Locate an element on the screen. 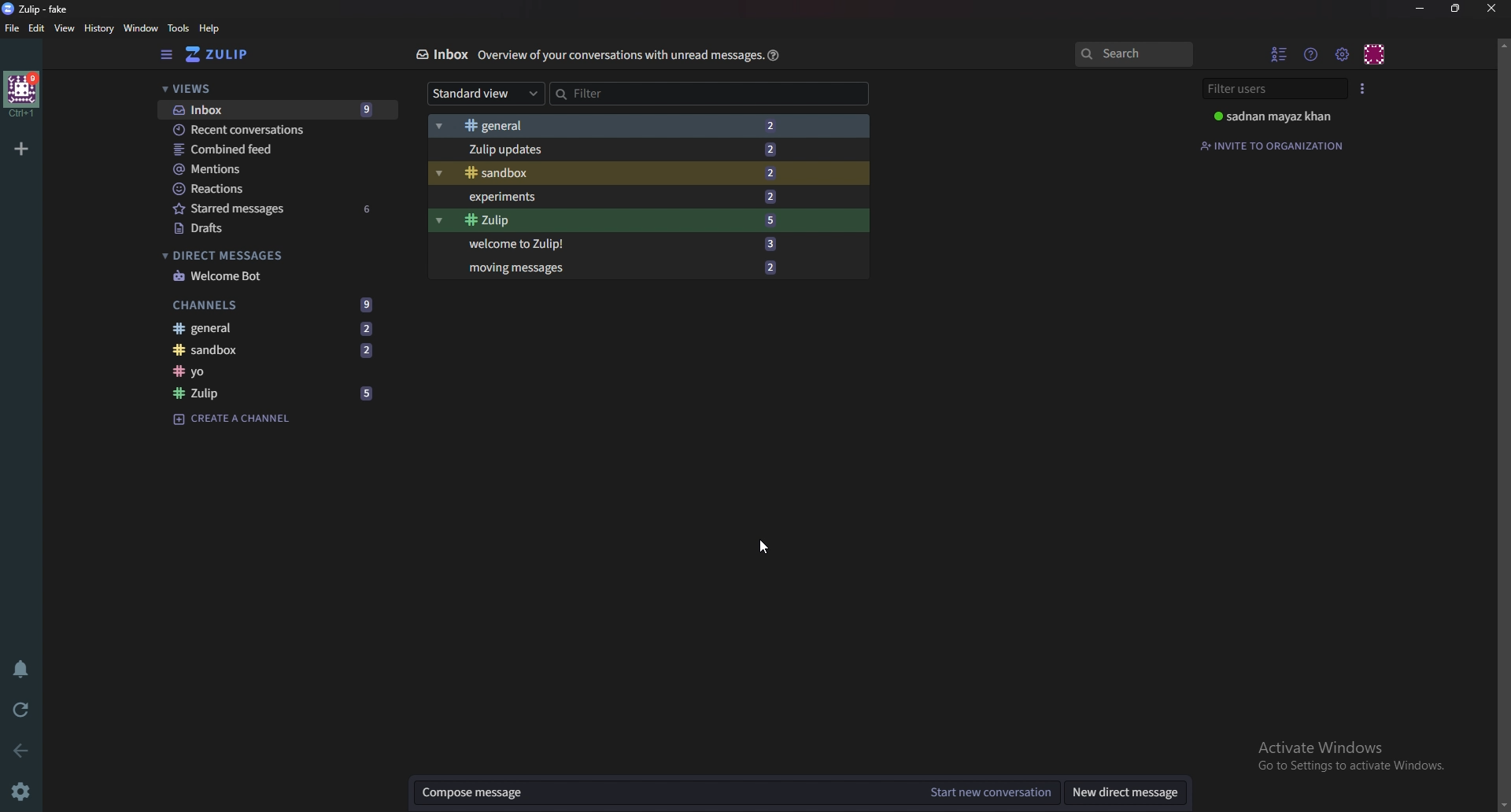  Combined feed is located at coordinates (278, 149).